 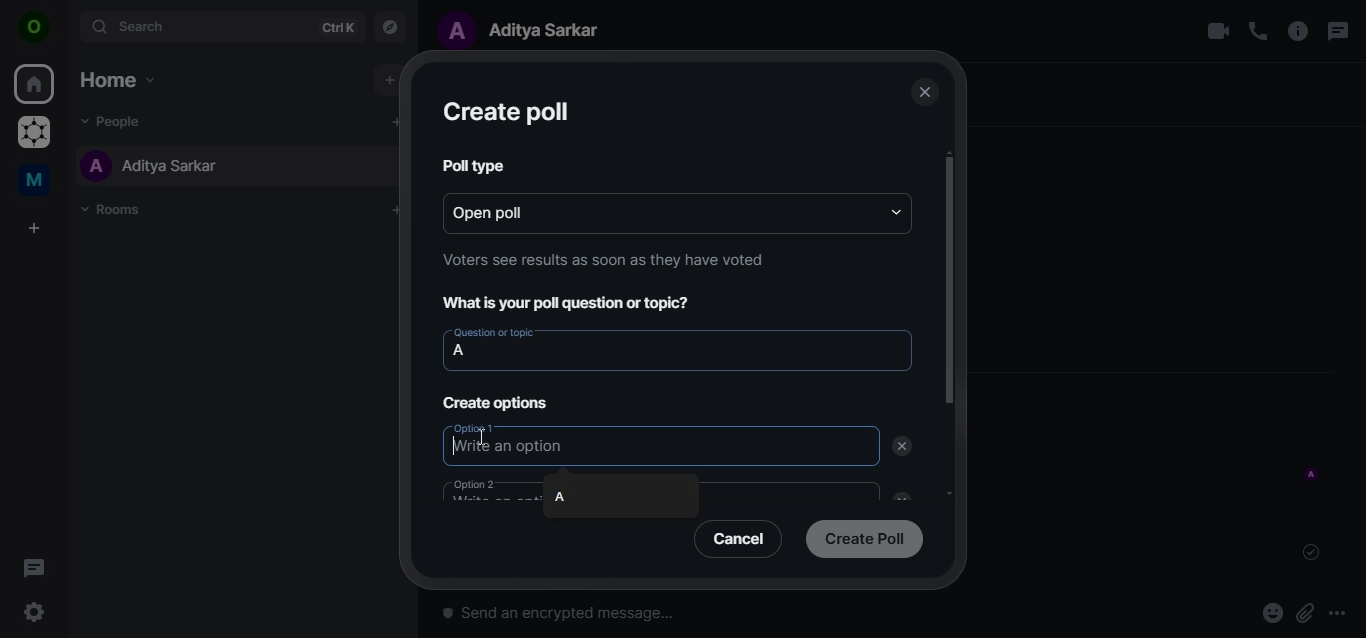 What do you see at coordinates (151, 165) in the screenshot?
I see `aditya sarkar` at bounding box center [151, 165].